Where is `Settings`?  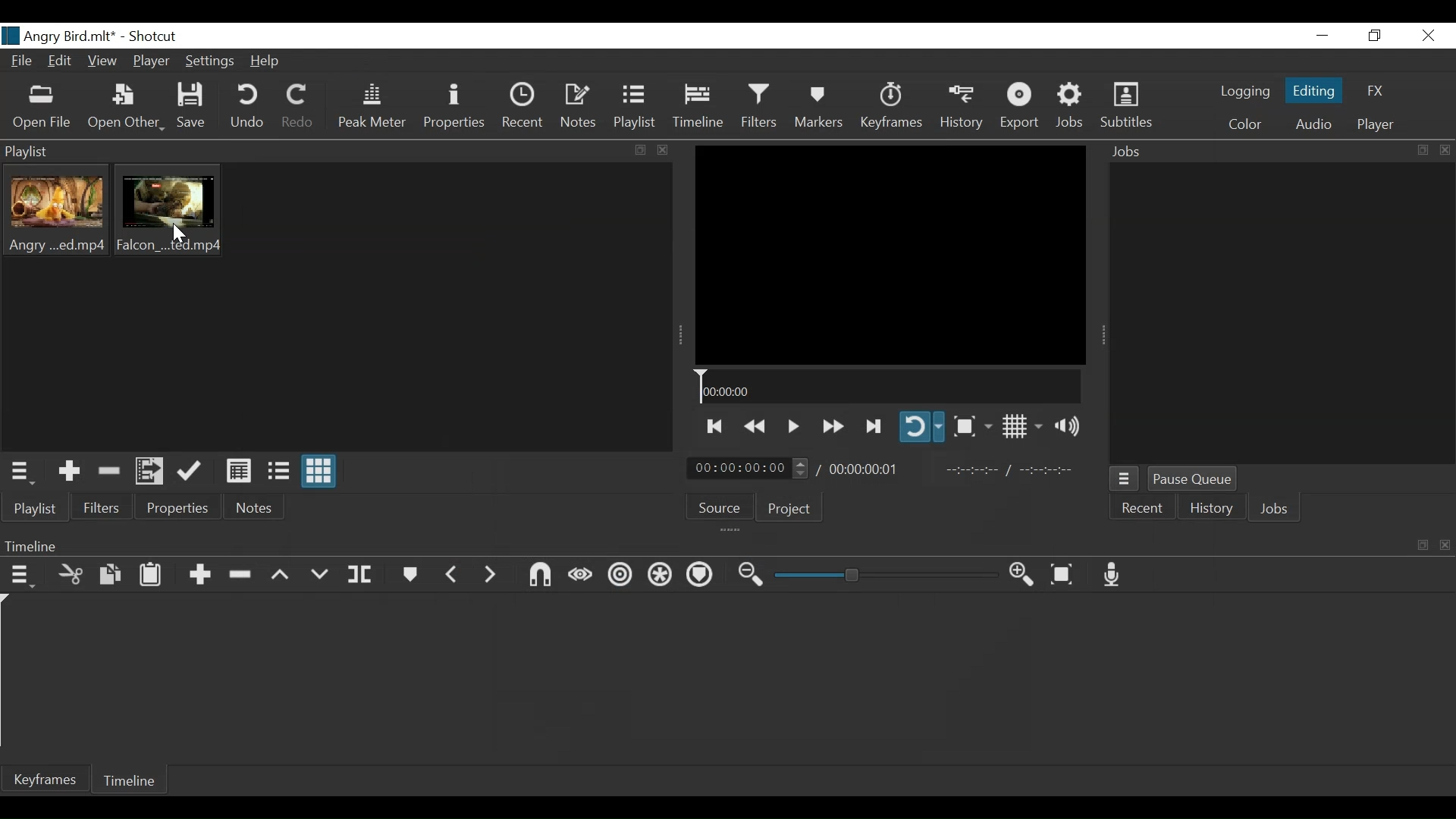
Settings is located at coordinates (211, 63).